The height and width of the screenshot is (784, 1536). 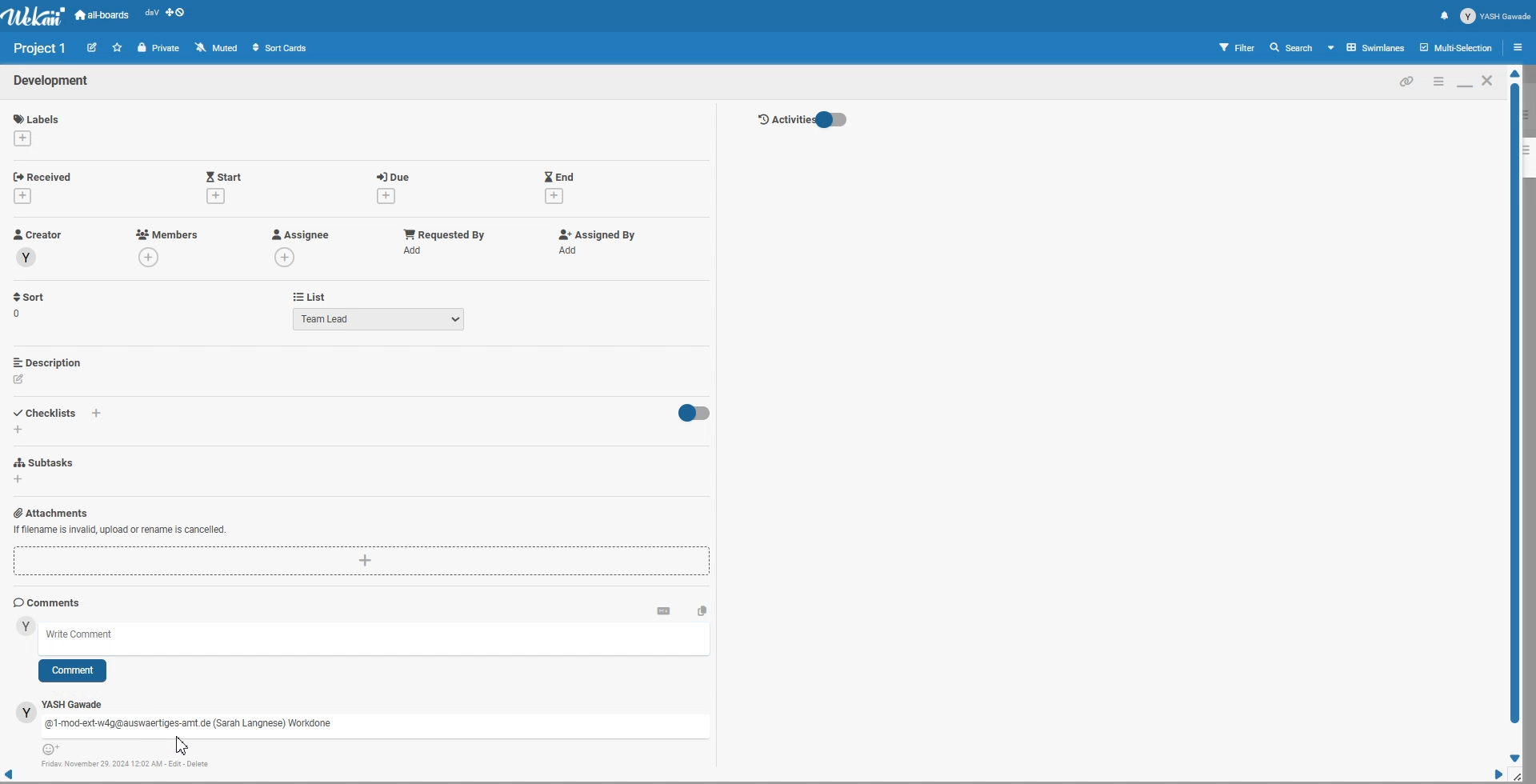 I want to click on add, so click(x=98, y=414).